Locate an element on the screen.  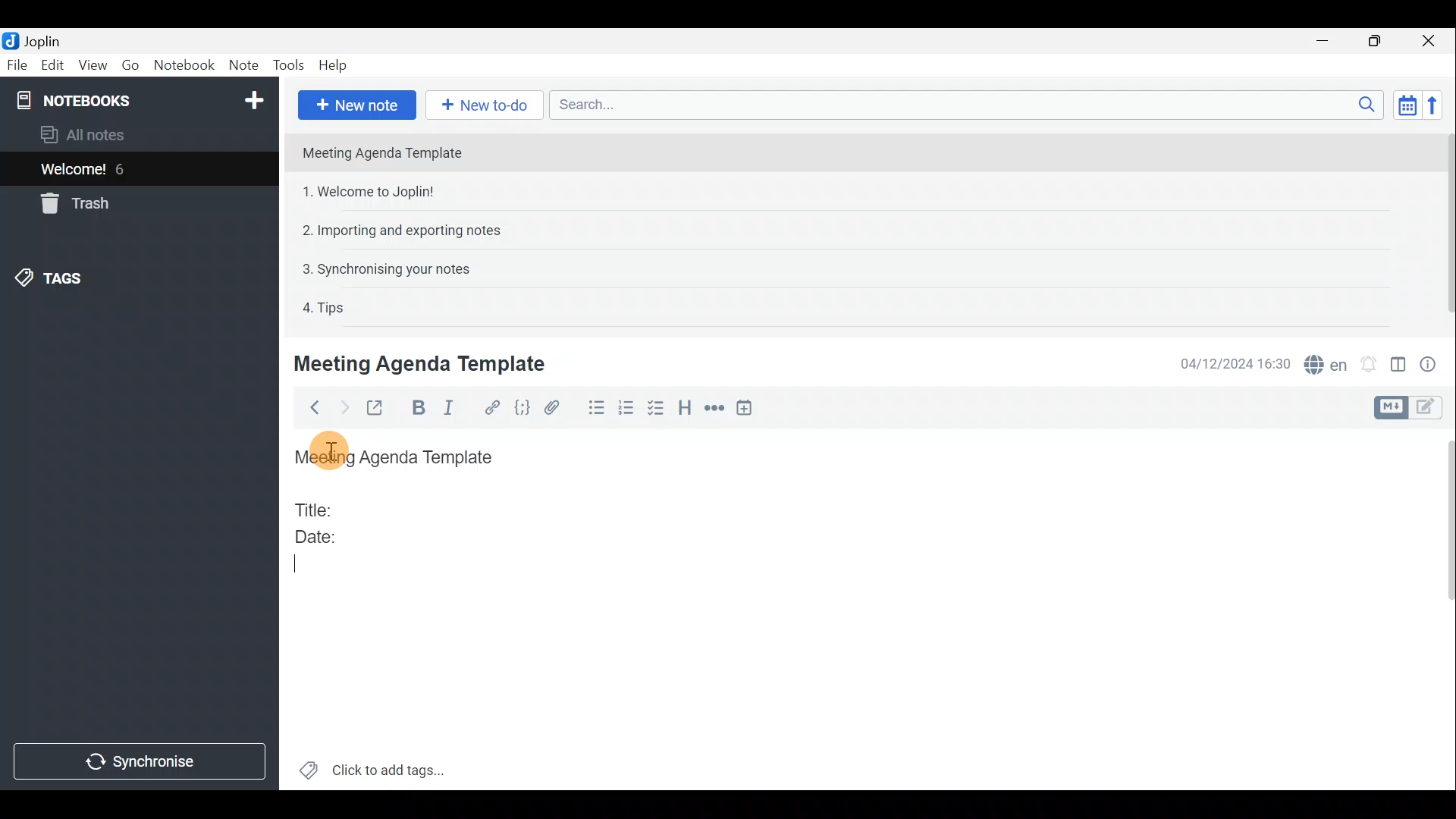
Spell checker is located at coordinates (1327, 362).